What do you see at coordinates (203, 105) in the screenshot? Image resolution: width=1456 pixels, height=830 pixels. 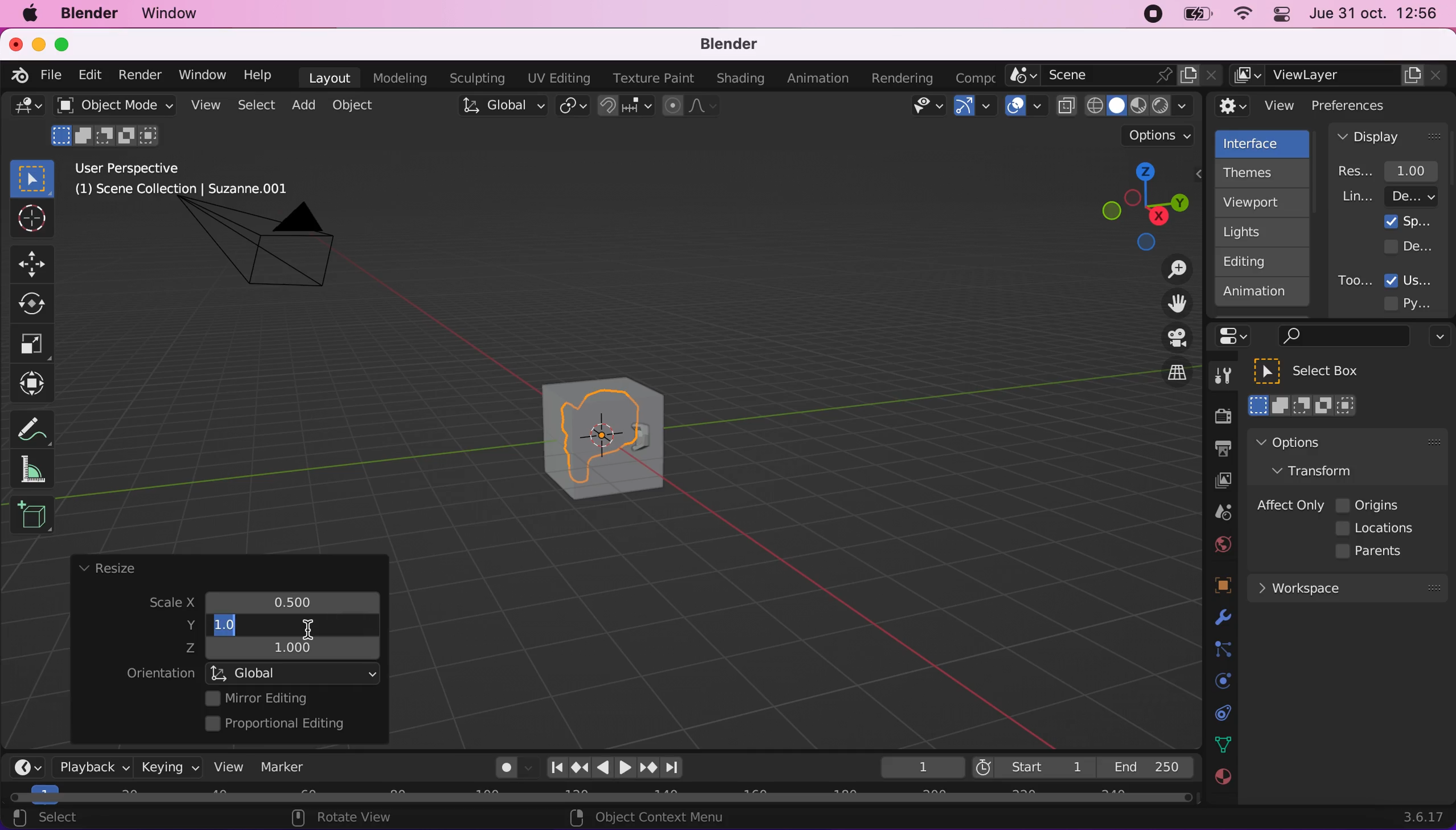 I see `view` at bounding box center [203, 105].